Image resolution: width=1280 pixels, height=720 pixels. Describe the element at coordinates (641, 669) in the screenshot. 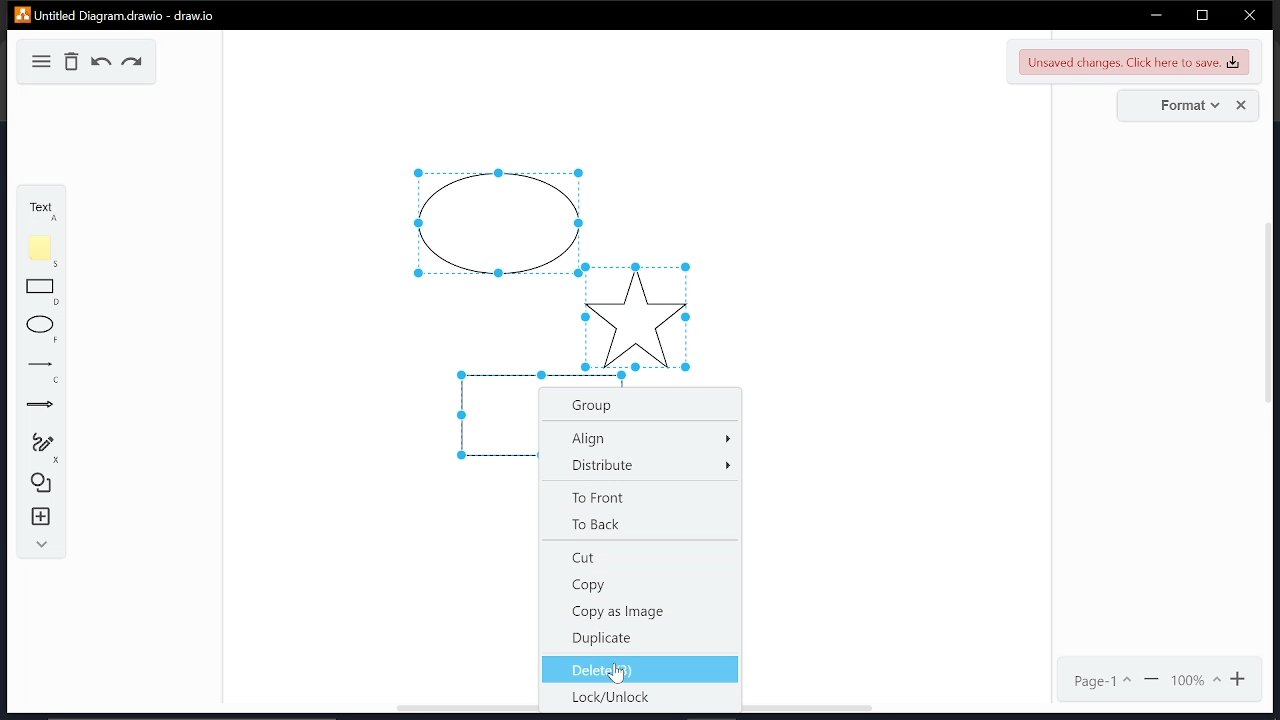

I see `delete` at that location.